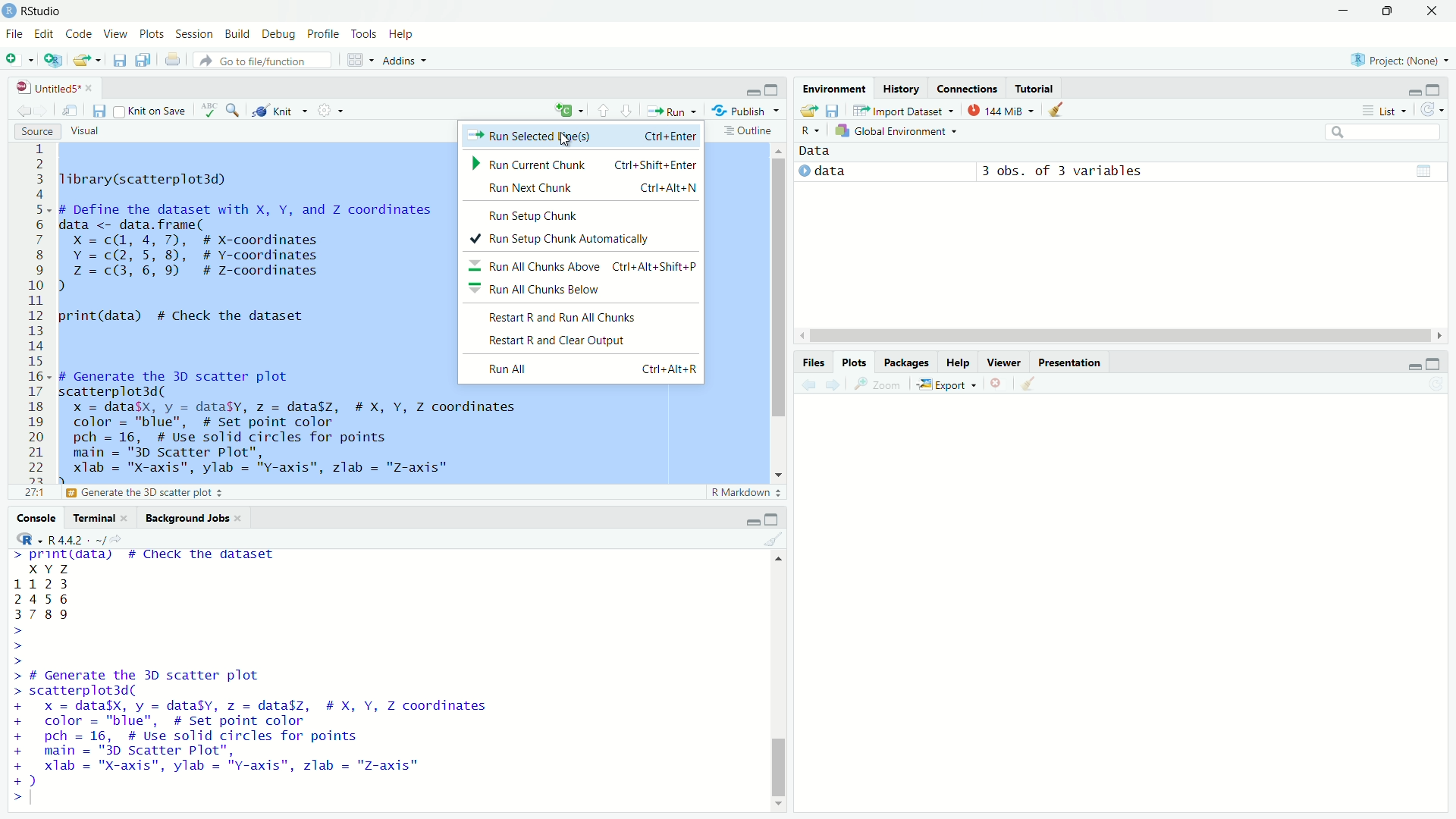 Image resolution: width=1456 pixels, height=819 pixels. Describe the element at coordinates (1072, 362) in the screenshot. I see `presentation` at that location.